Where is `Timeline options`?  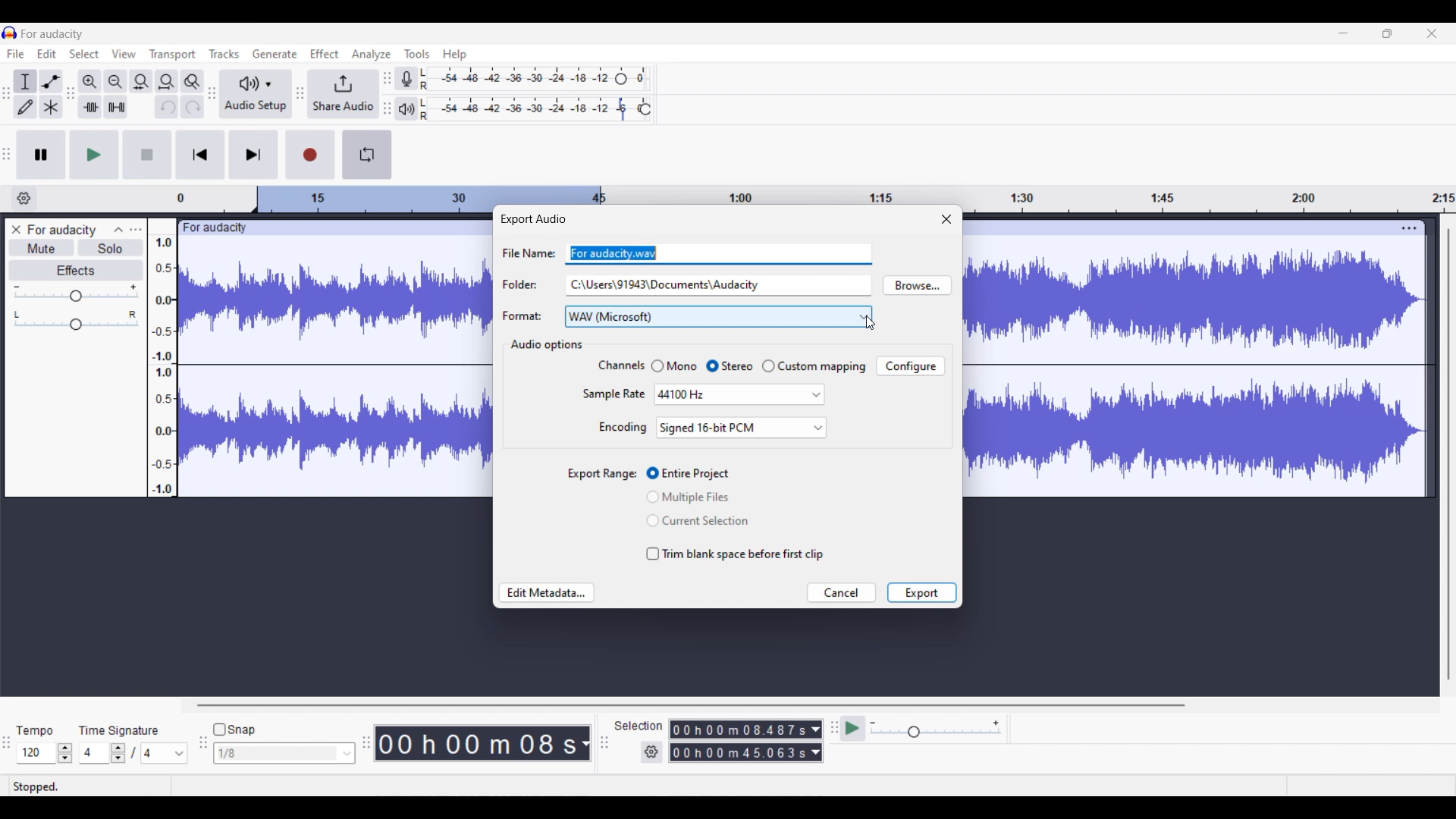
Timeline options is located at coordinates (24, 199).